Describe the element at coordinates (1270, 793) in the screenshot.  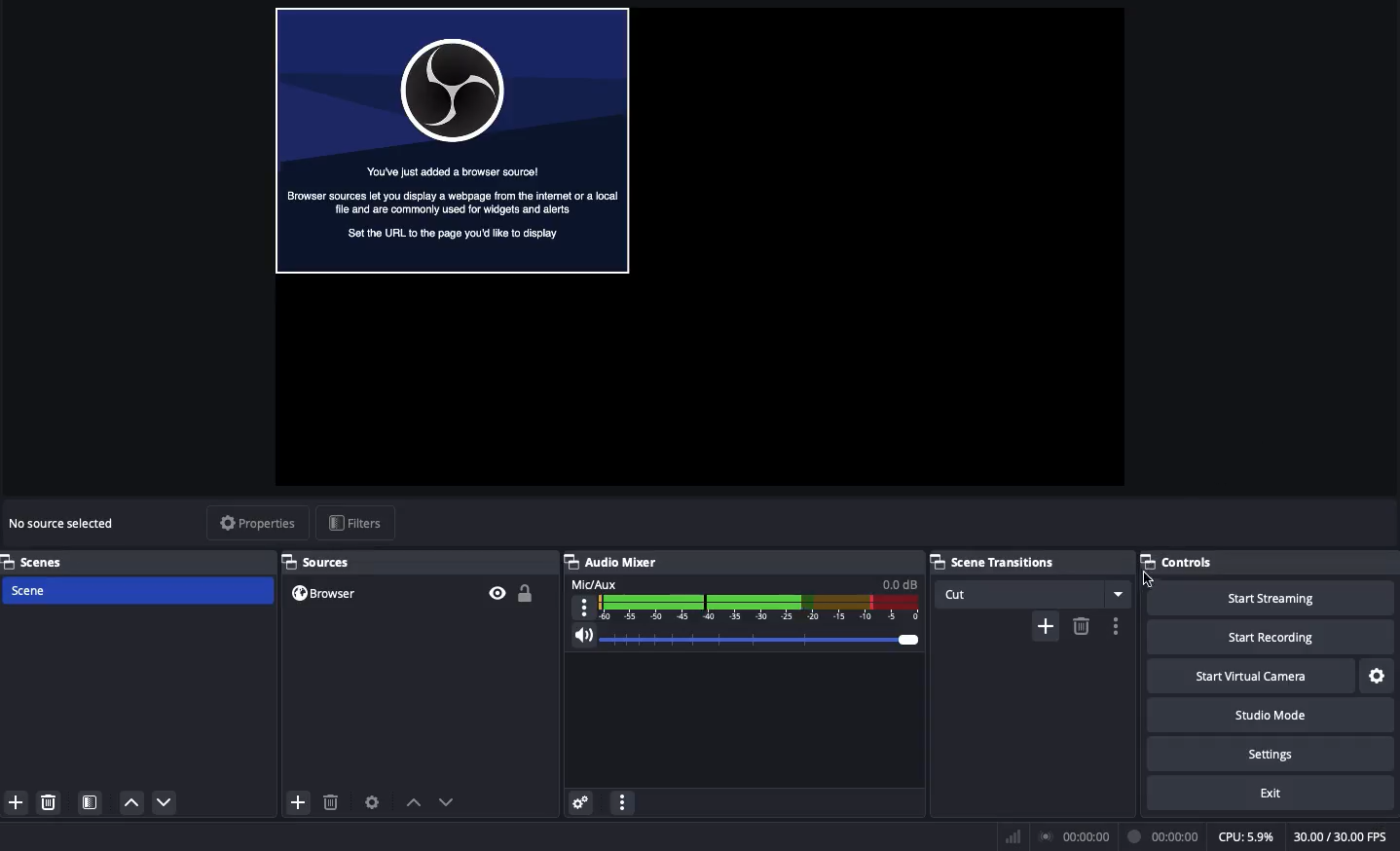
I see `Exit` at that location.